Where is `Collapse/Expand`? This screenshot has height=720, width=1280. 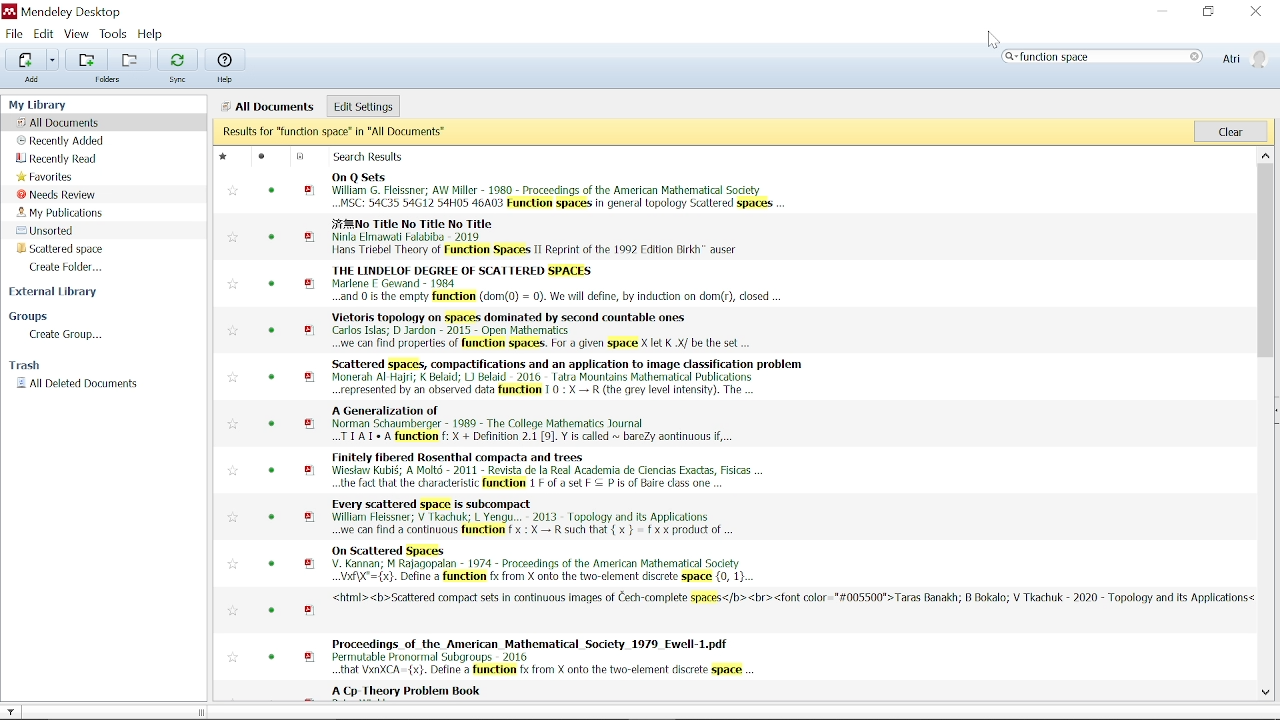 Collapse/Expand is located at coordinates (1276, 409).